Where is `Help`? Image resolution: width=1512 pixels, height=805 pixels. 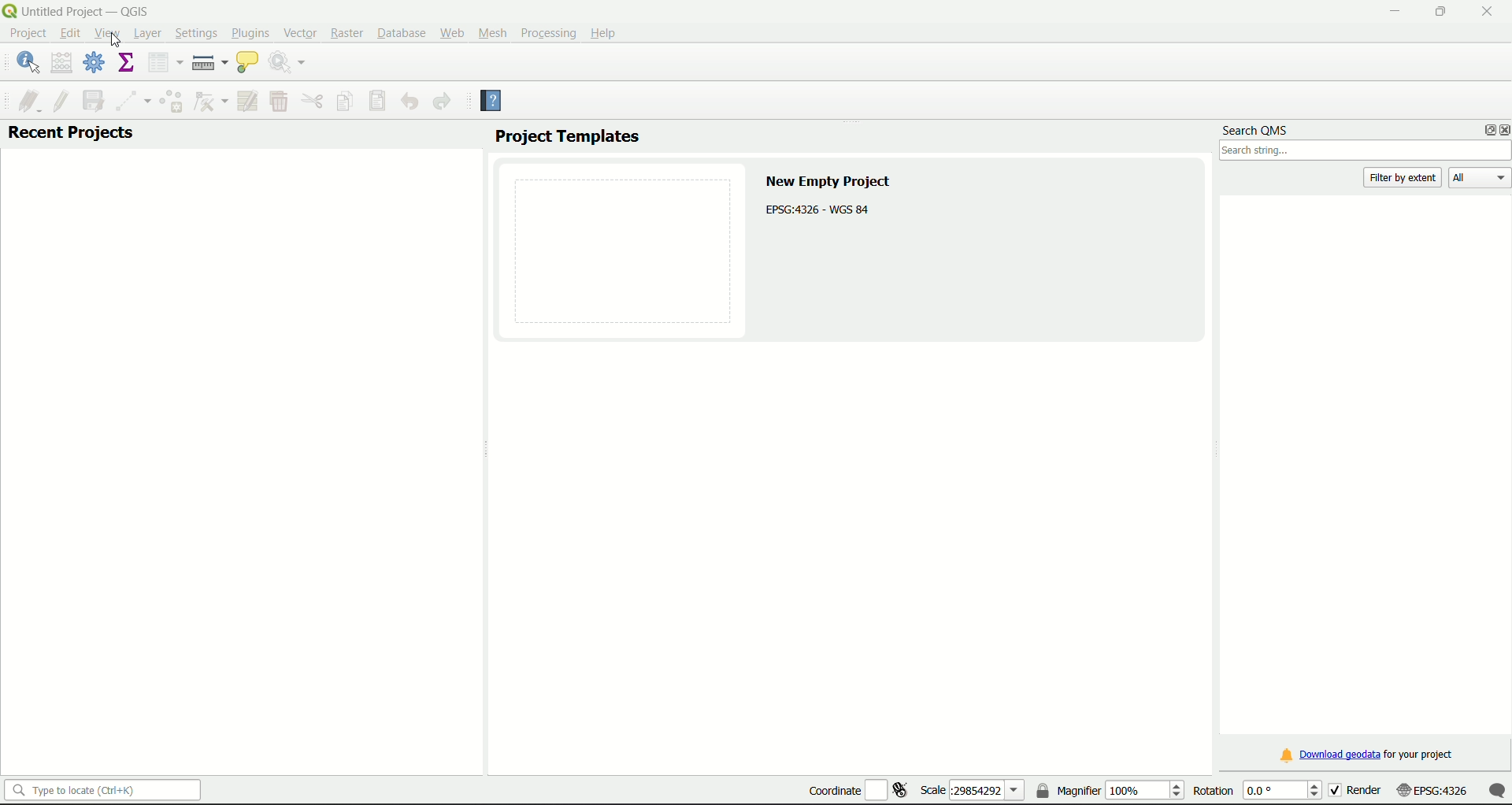
Help is located at coordinates (603, 33).